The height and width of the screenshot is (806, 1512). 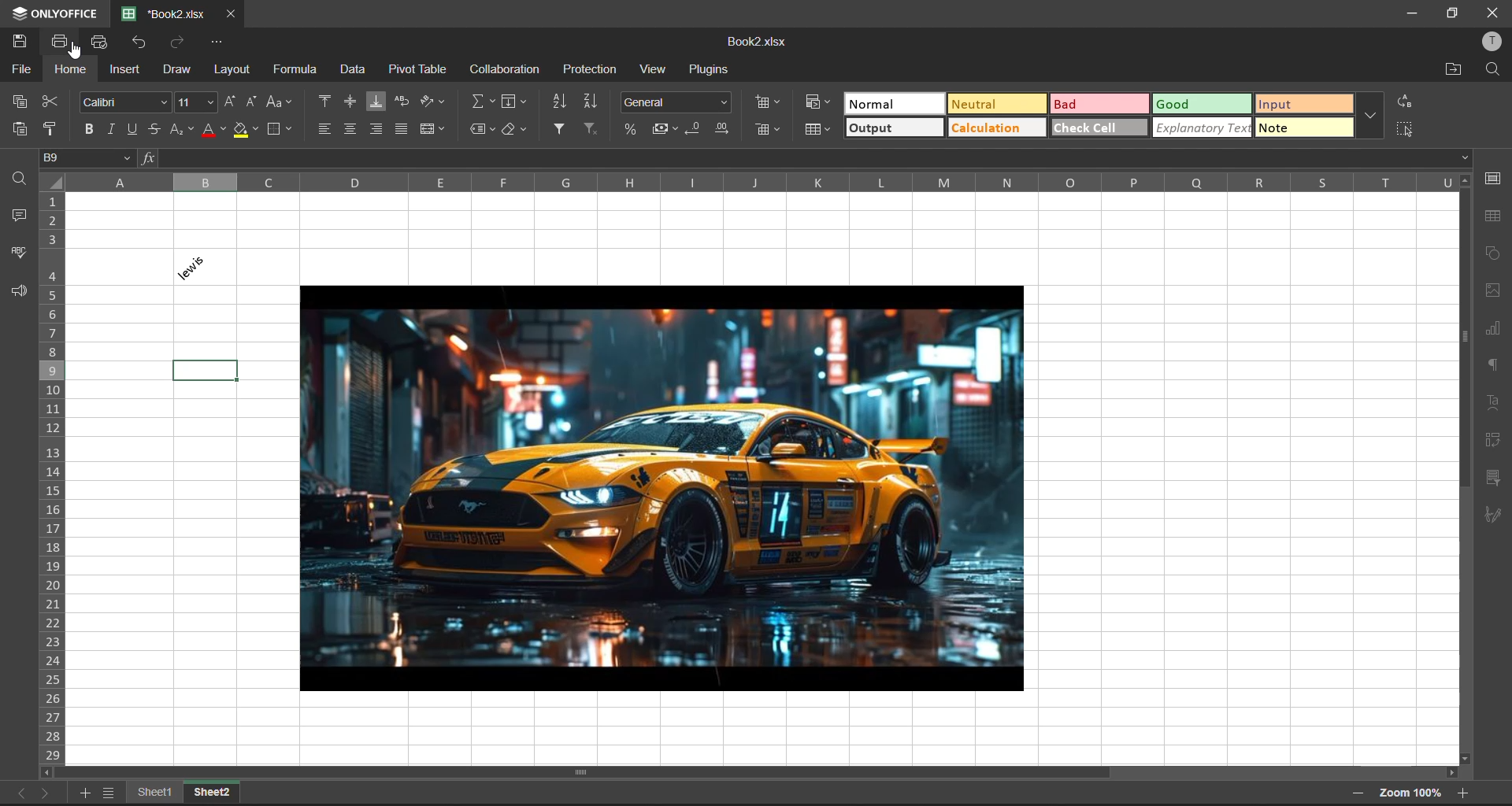 I want to click on comments, so click(x=16, y=213).